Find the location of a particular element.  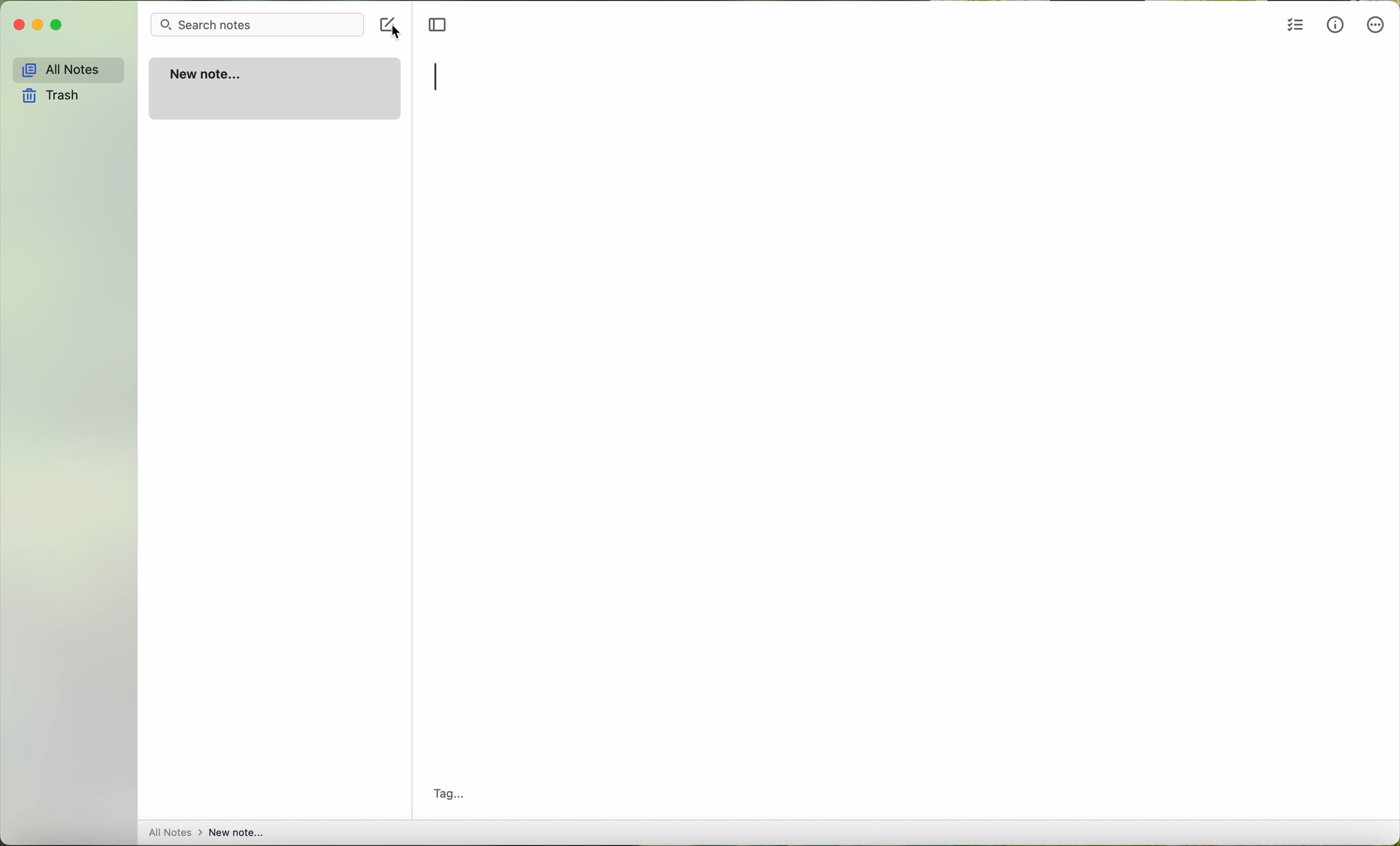

tag is located at coordinates (451, 794).